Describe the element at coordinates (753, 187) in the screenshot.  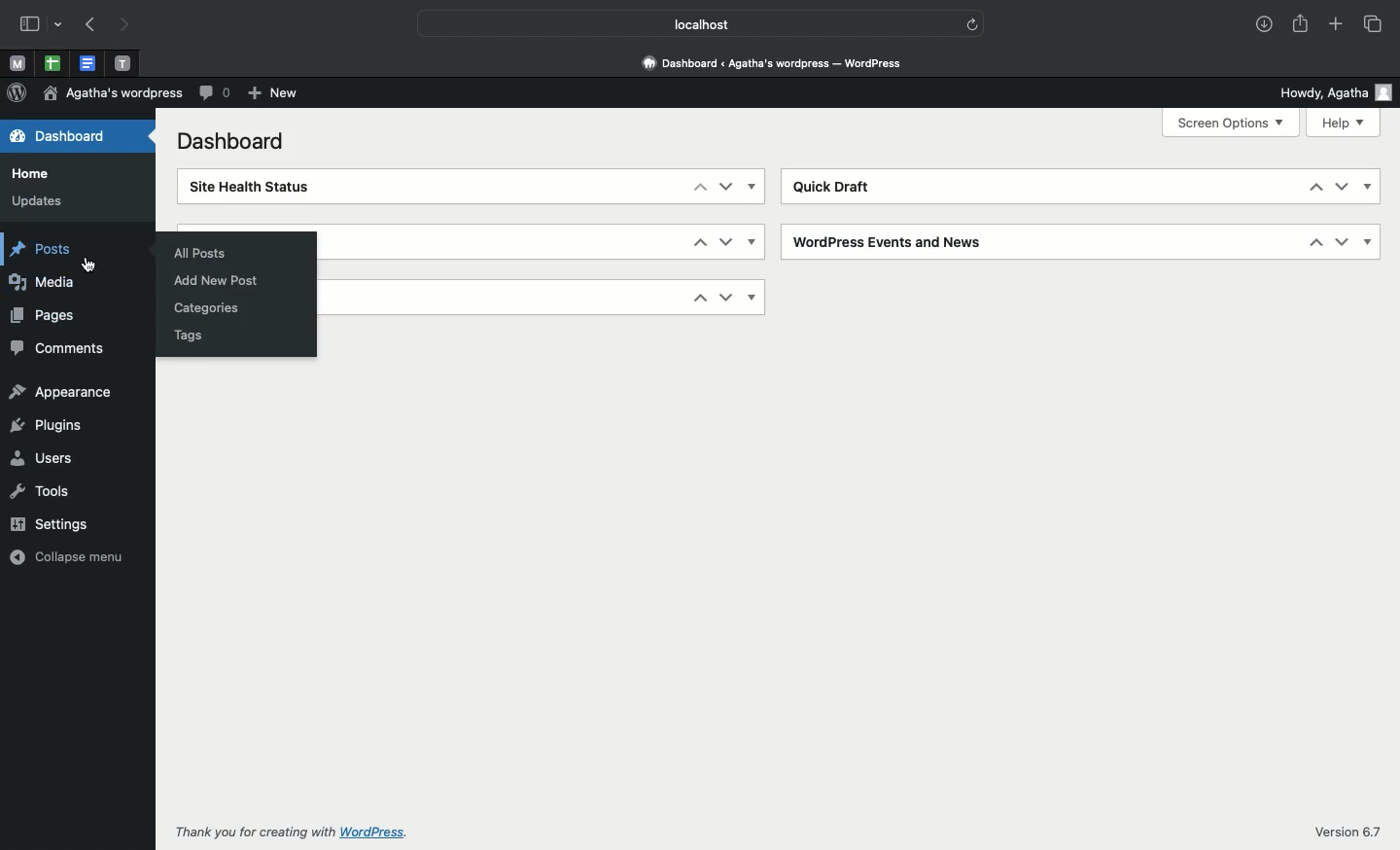
I see `Show` at that location.